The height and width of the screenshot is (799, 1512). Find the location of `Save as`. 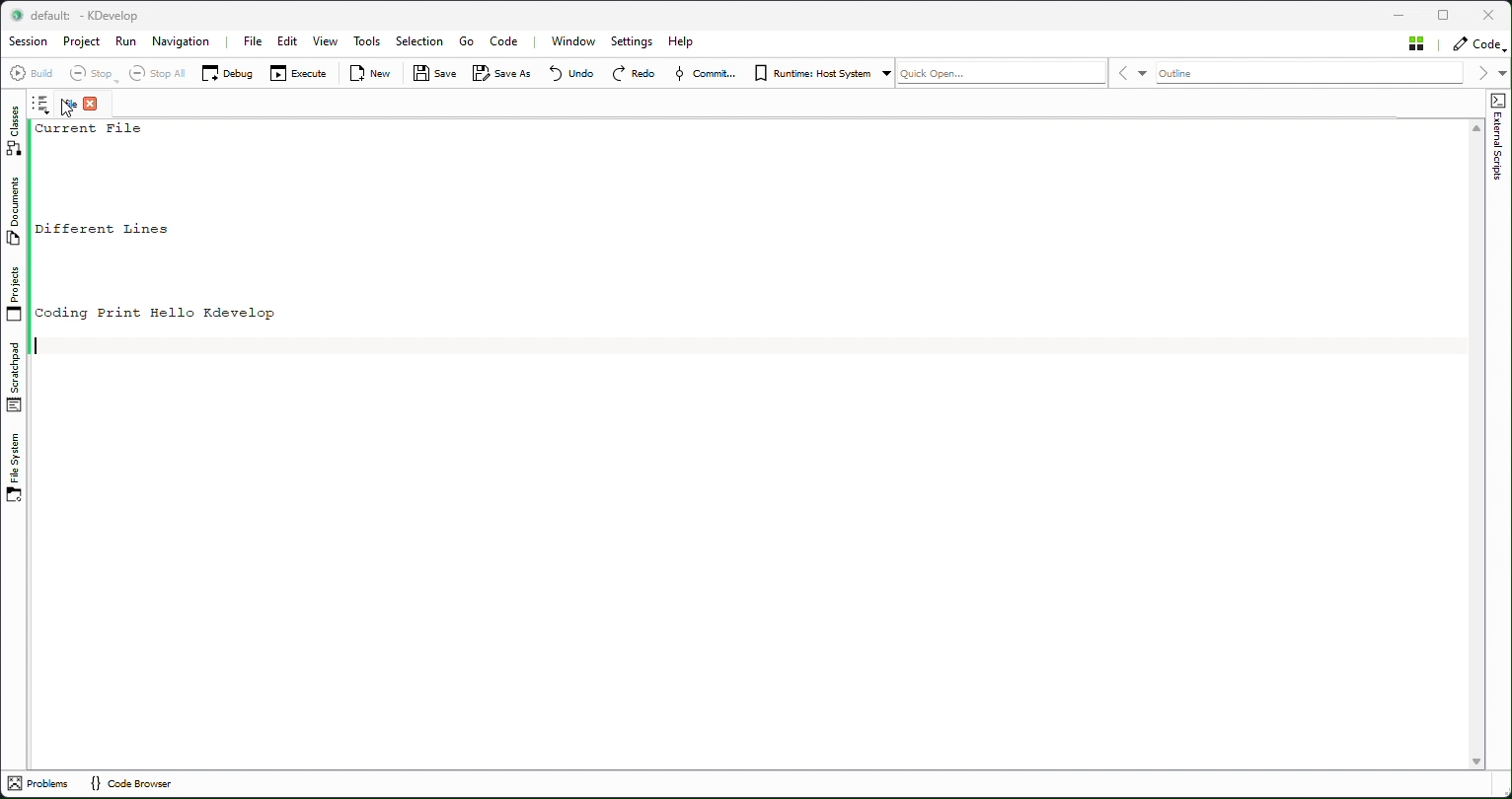

Save as is located at coordinates (502, 73).